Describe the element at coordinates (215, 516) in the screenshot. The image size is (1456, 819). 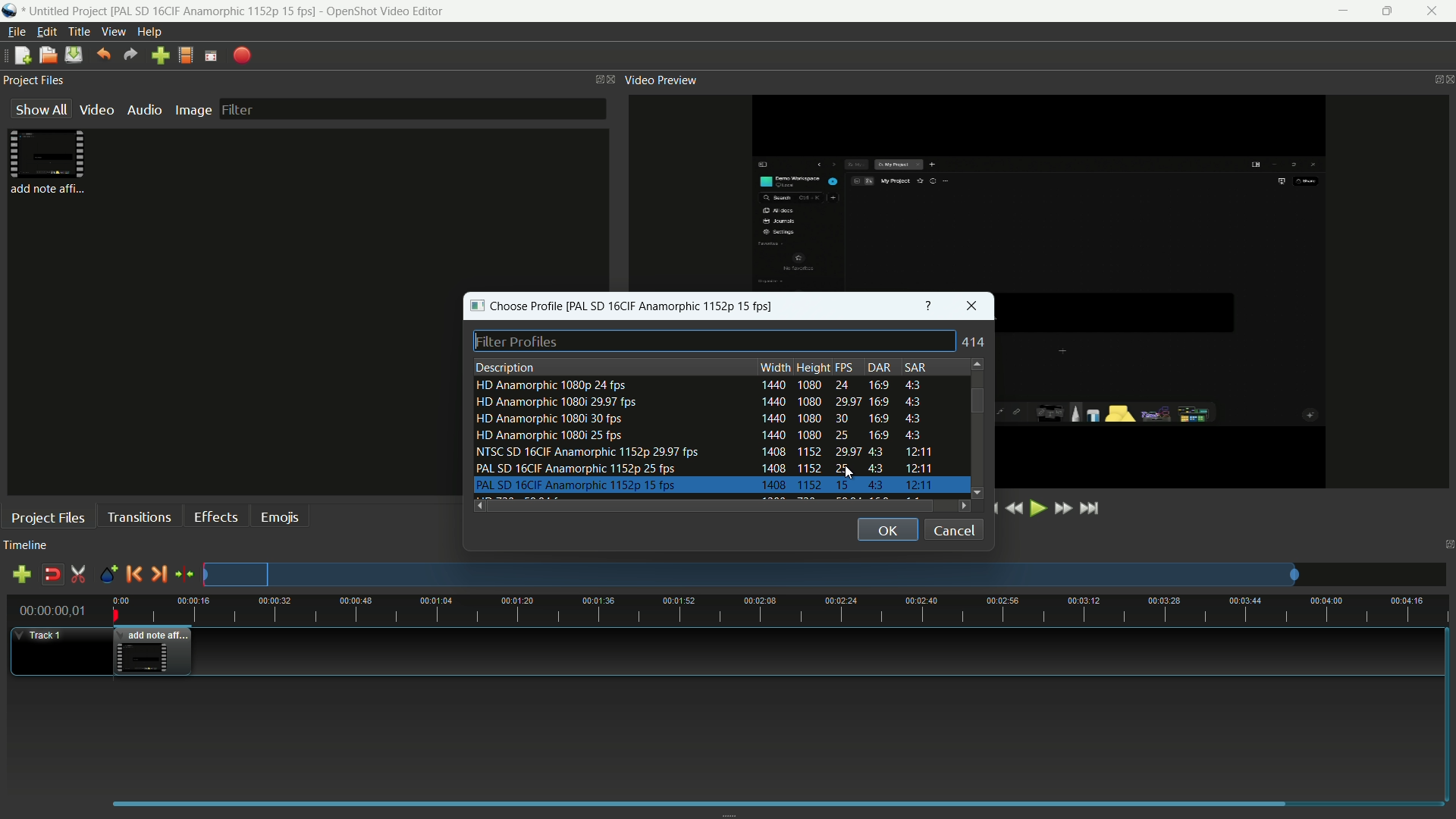
I see `effects` at that location.